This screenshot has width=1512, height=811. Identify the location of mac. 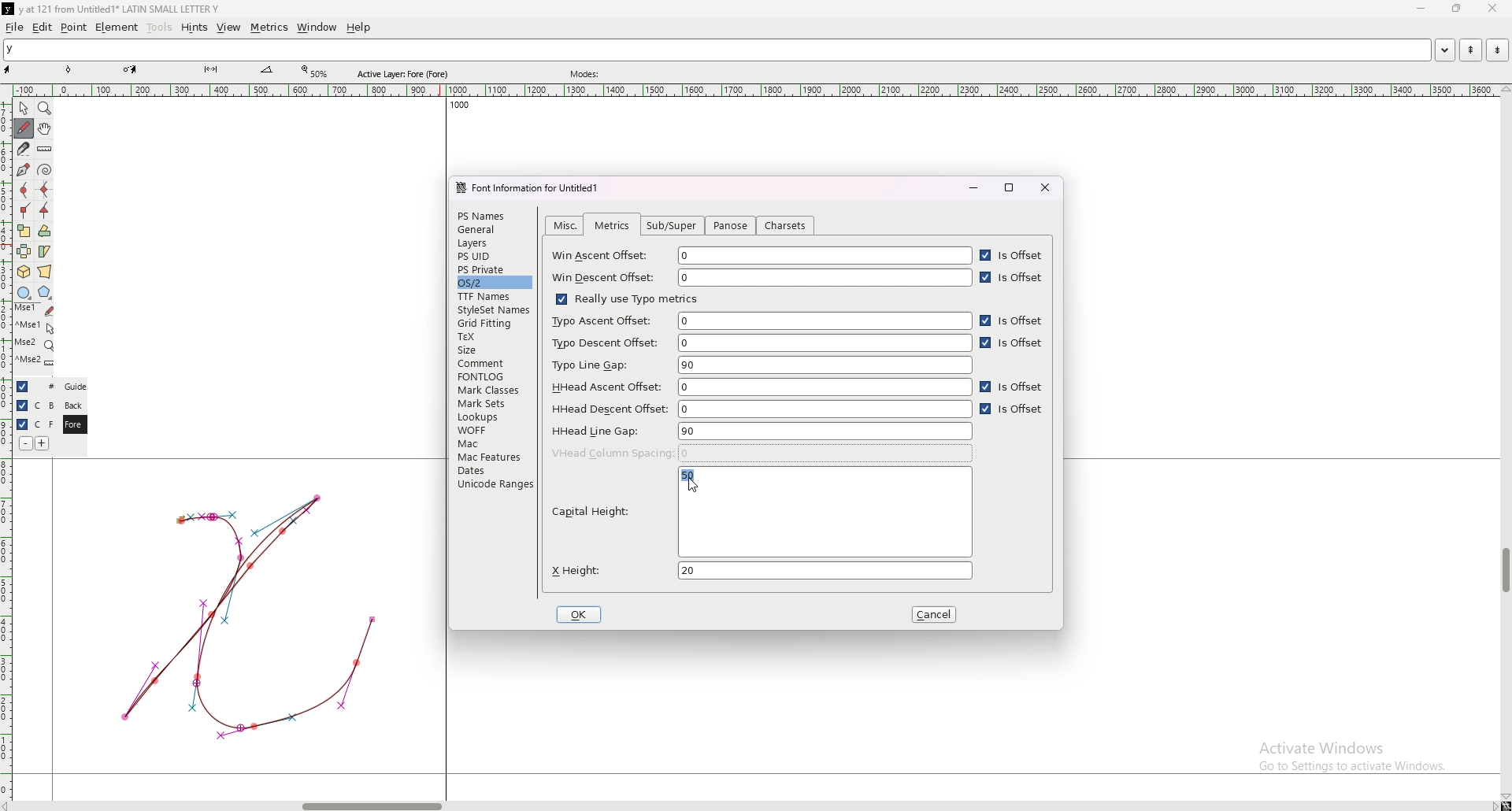
(492, 443).